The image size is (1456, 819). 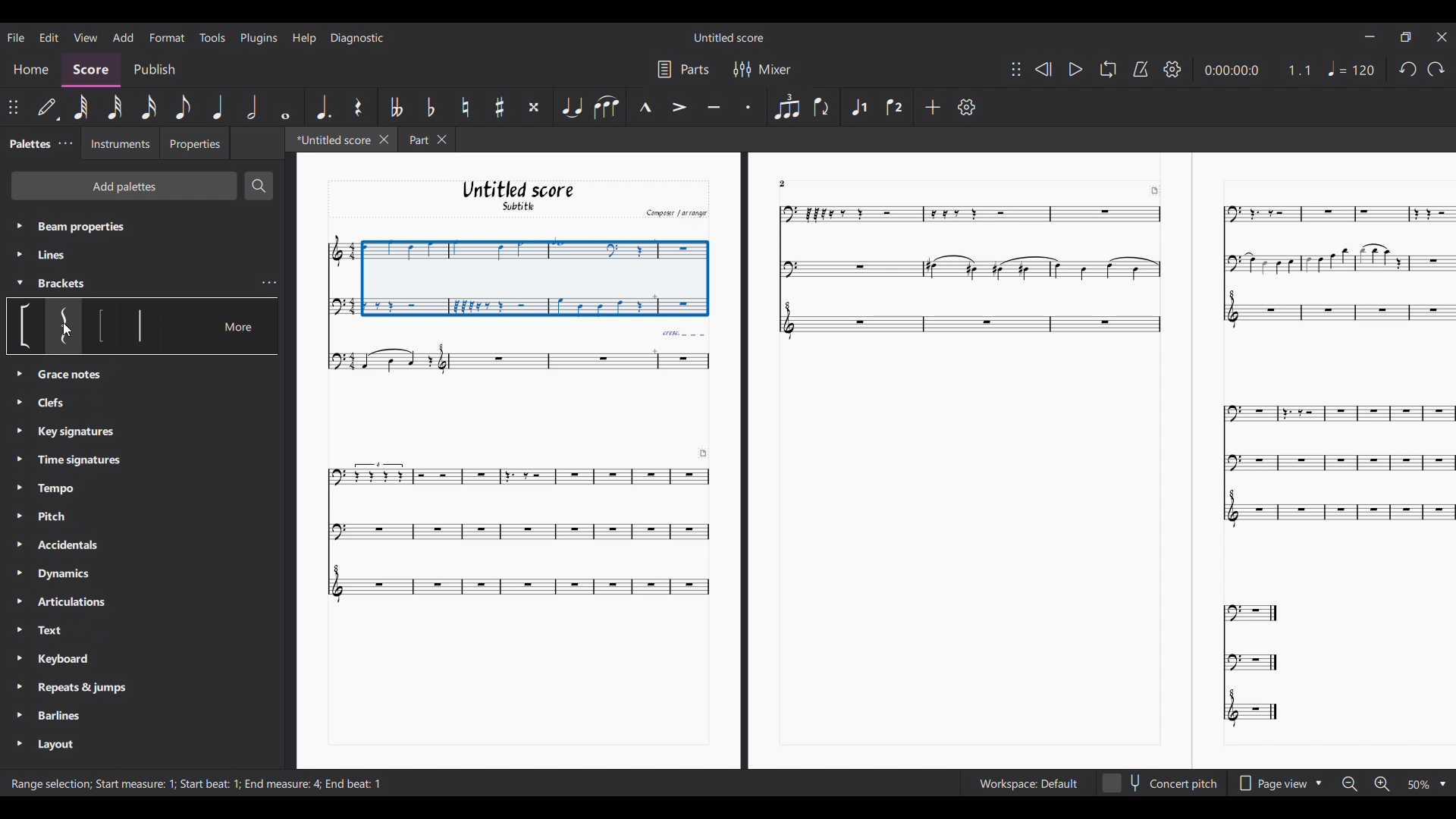 What do you see at coordinates (1269, 783) in the screenshot?
I see `Page view options` at bounding box center [1269, 783].